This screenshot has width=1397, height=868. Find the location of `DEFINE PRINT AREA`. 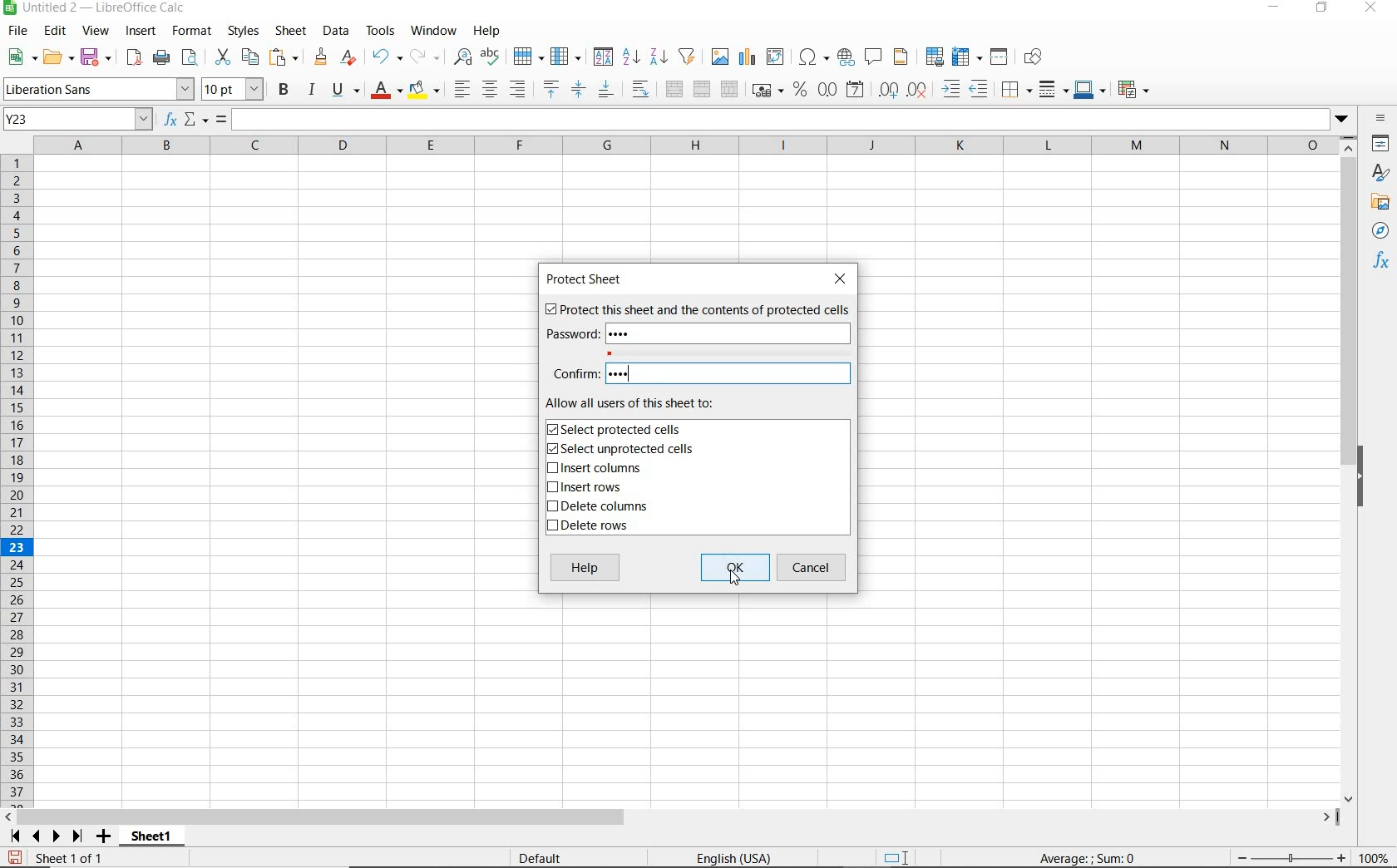

DEFINE PRINT AREA is located at coordinates (935, 57).